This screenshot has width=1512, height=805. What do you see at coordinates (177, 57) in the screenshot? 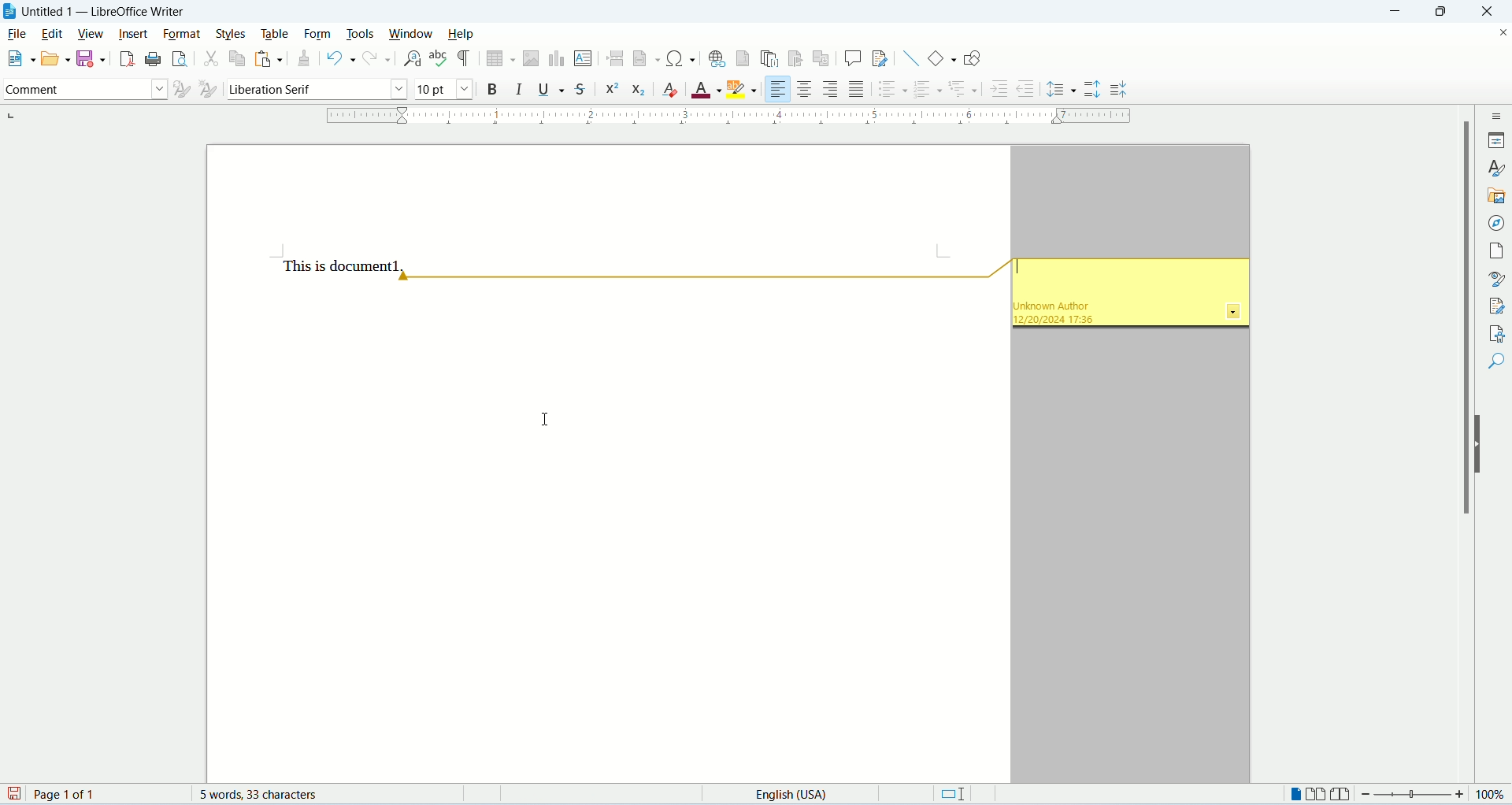
I see `print preview` at bounding box center [177, 57].